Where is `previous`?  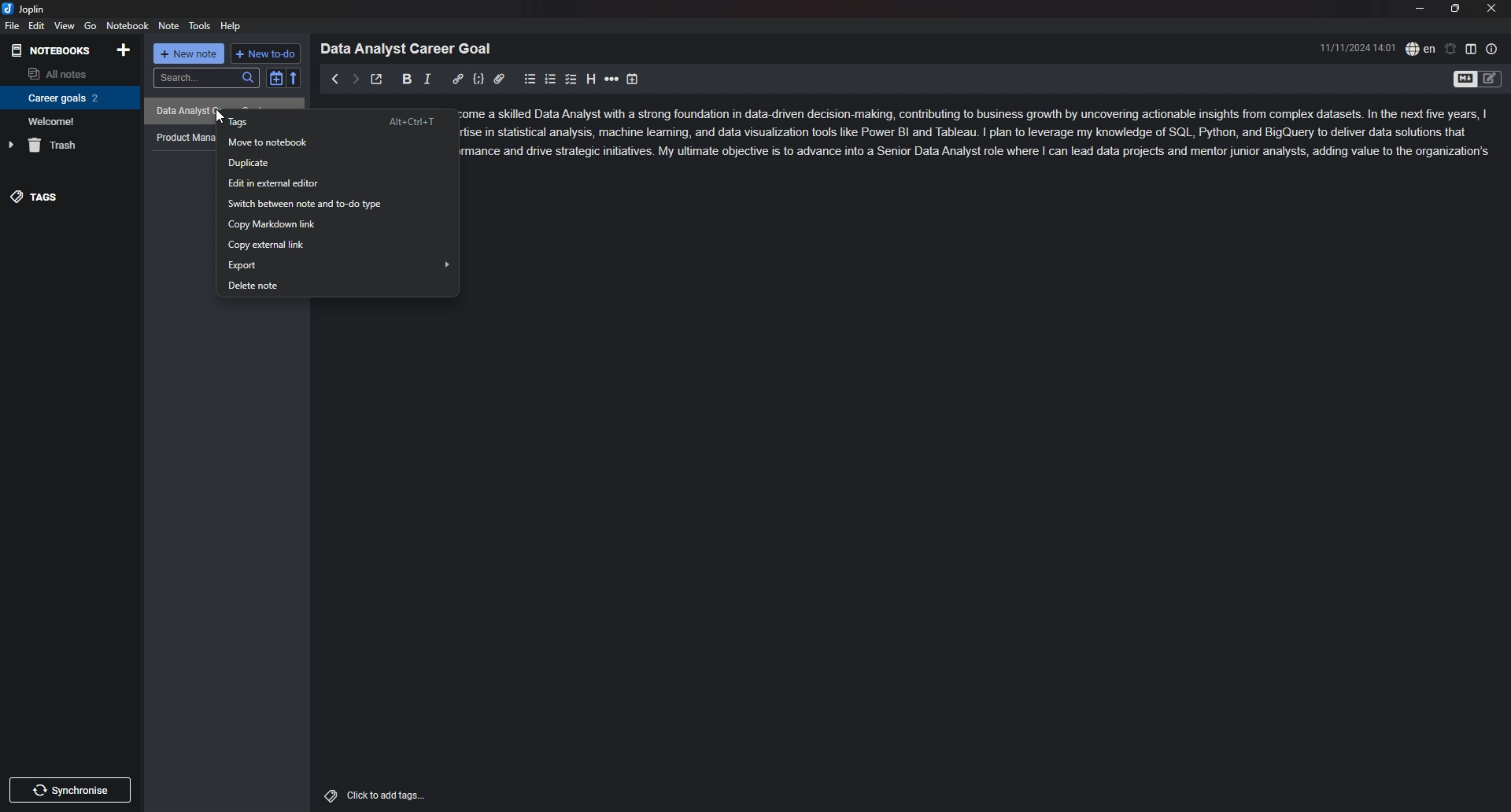 previous is located at coordinates (334, 79).